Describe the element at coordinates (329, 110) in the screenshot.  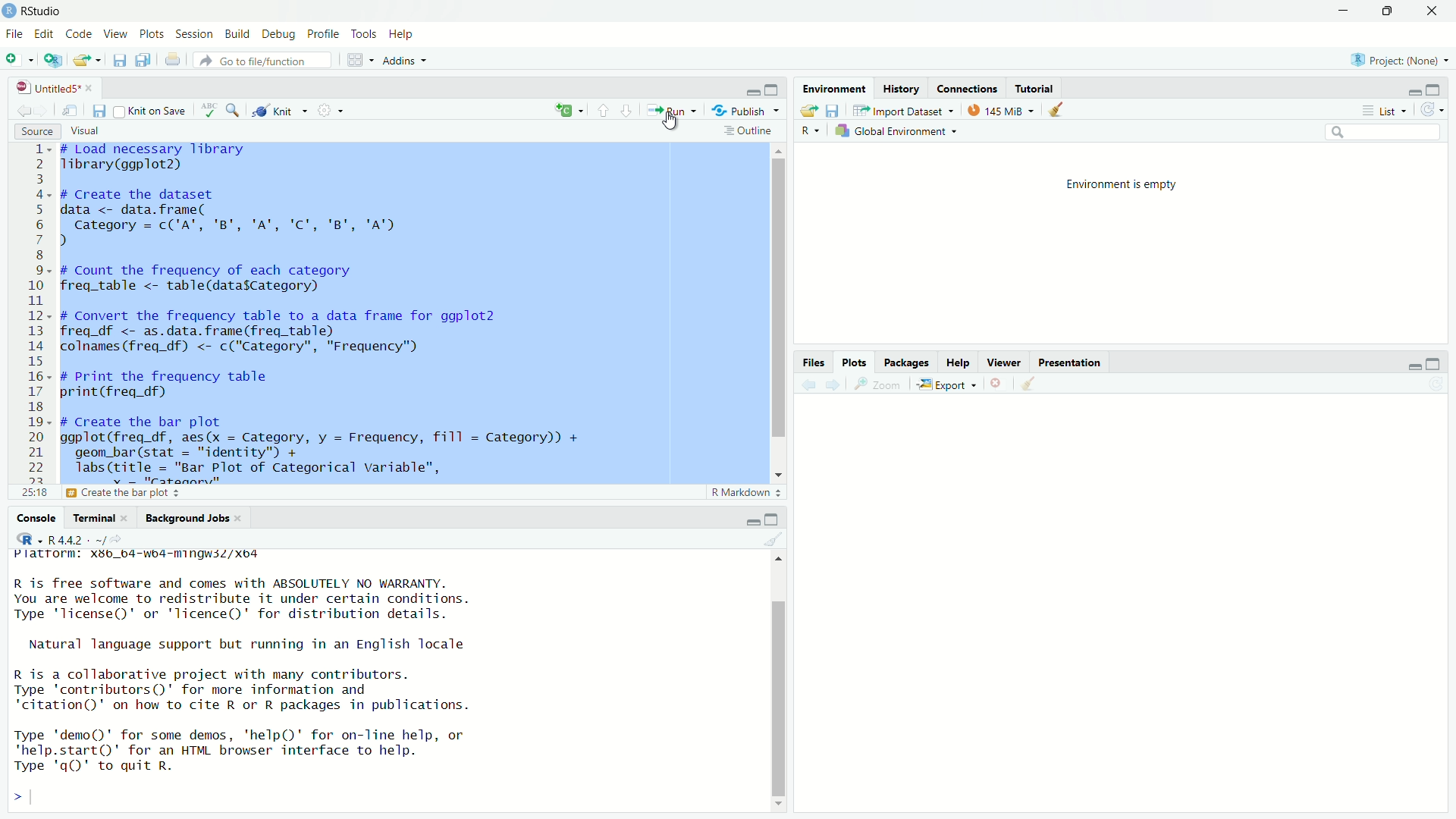
I see `settings` at that location.